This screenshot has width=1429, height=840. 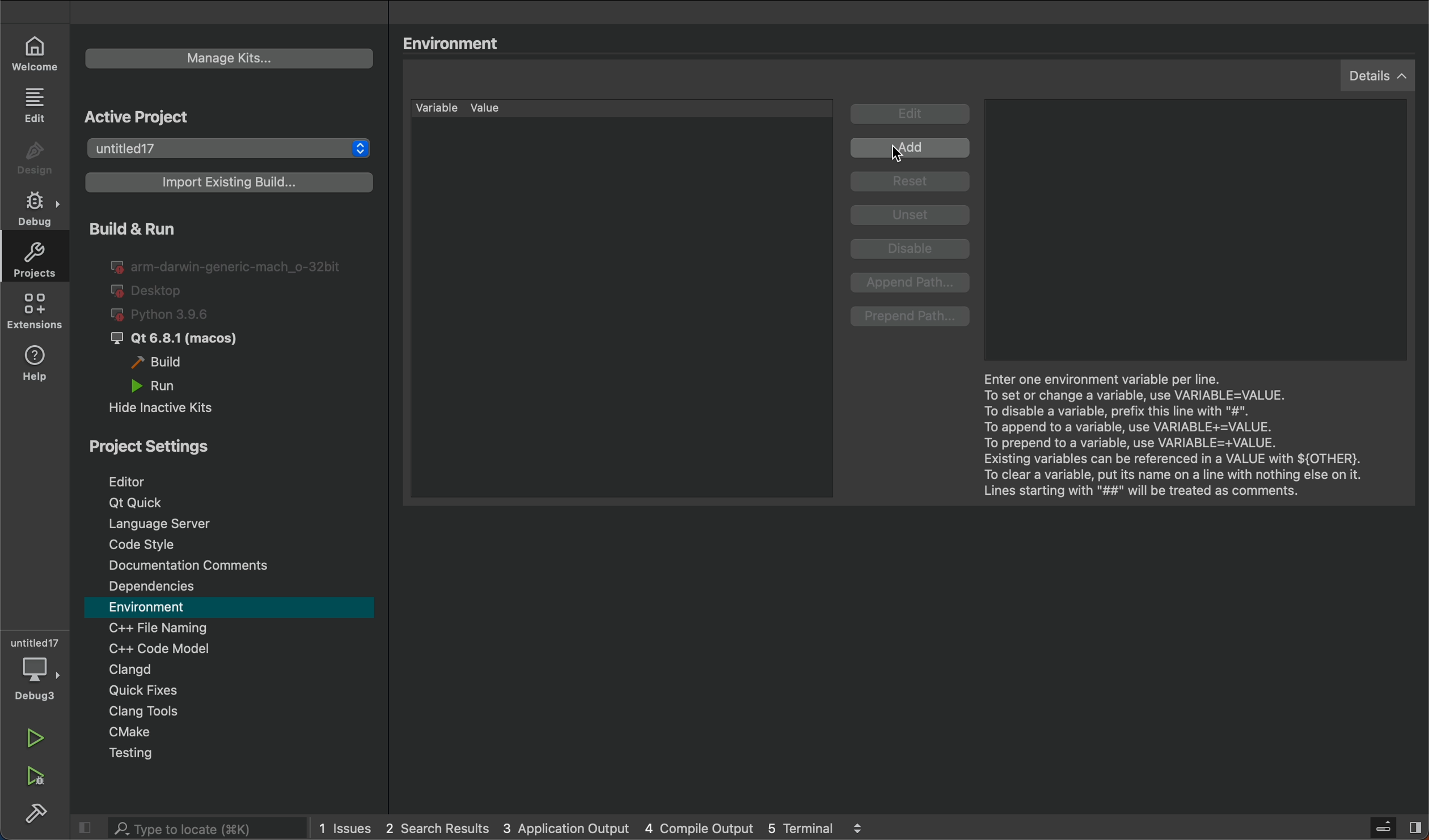 I want to click on Edit, so click(x=912, y=115).